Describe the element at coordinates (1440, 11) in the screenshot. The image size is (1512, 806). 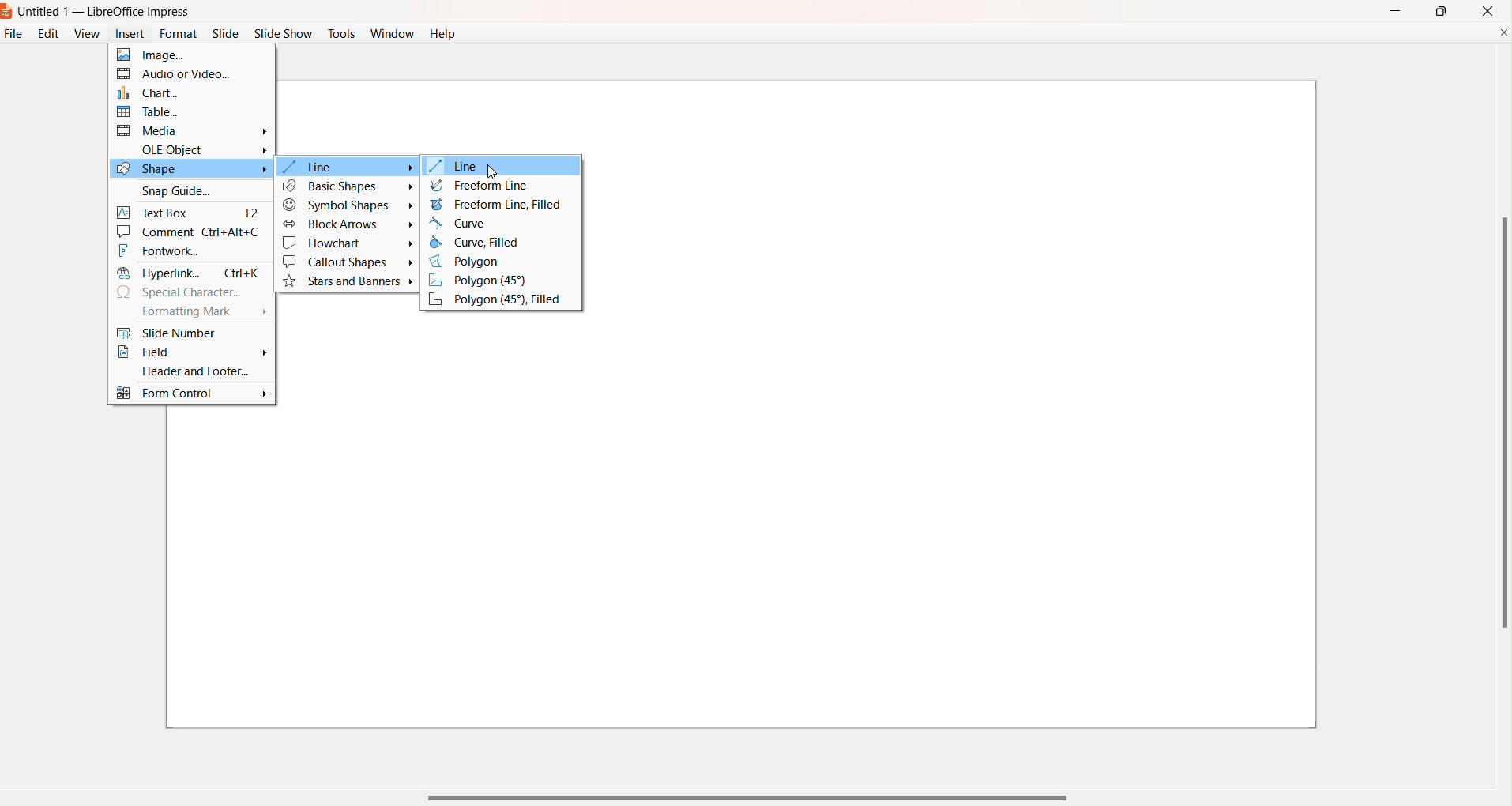
I see `maximize` at that location.